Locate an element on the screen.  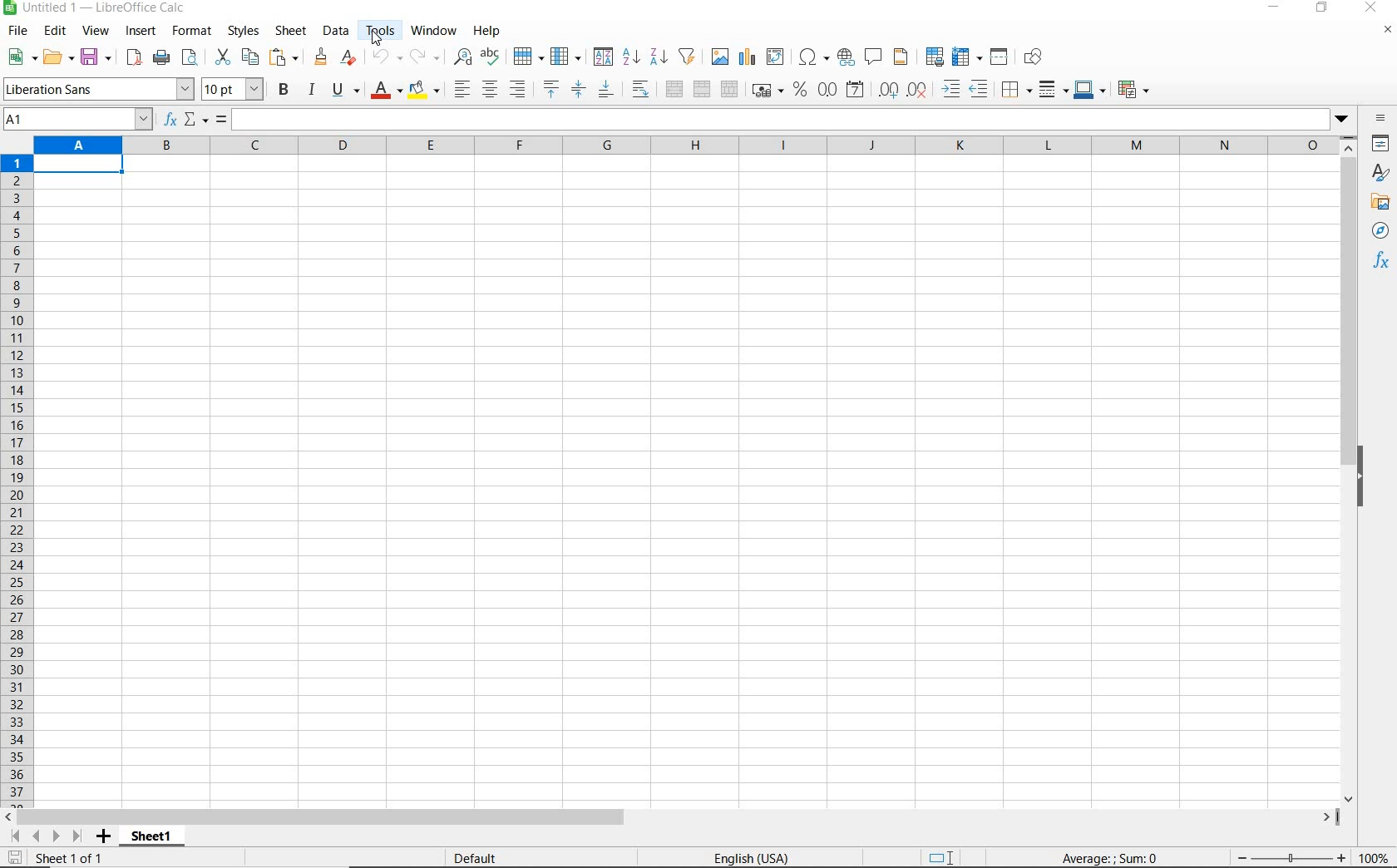
help is located at coordinates (490, 31).